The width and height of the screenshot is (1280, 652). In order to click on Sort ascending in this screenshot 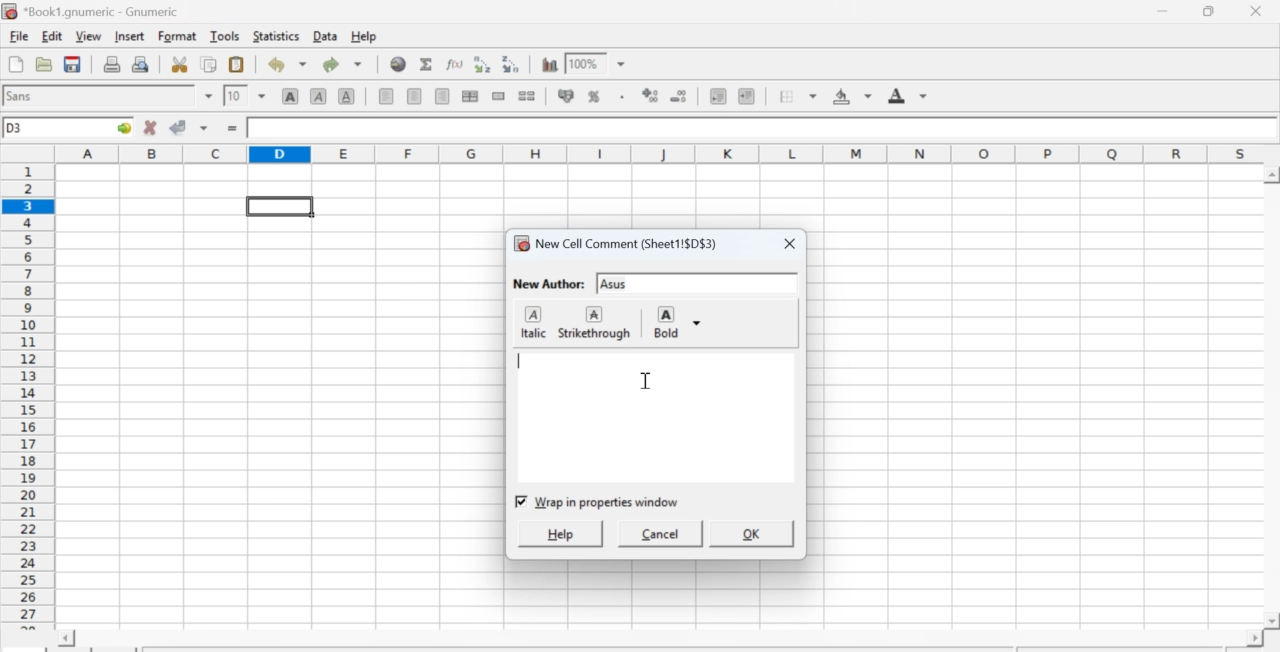, I will do `click(482, 65)`.